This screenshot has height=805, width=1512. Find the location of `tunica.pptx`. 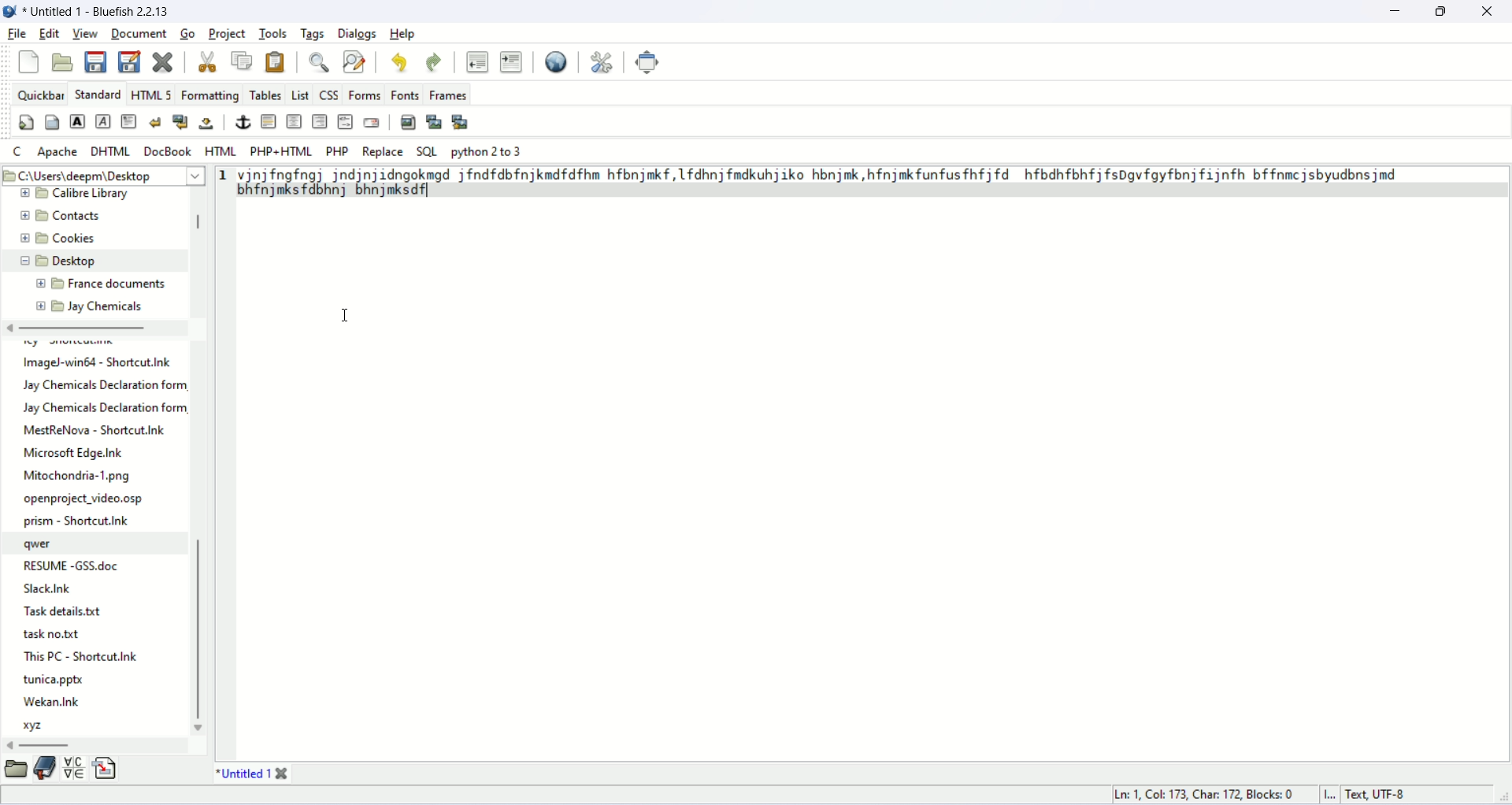

tunica.pptx is located at coordinates (55, 681).